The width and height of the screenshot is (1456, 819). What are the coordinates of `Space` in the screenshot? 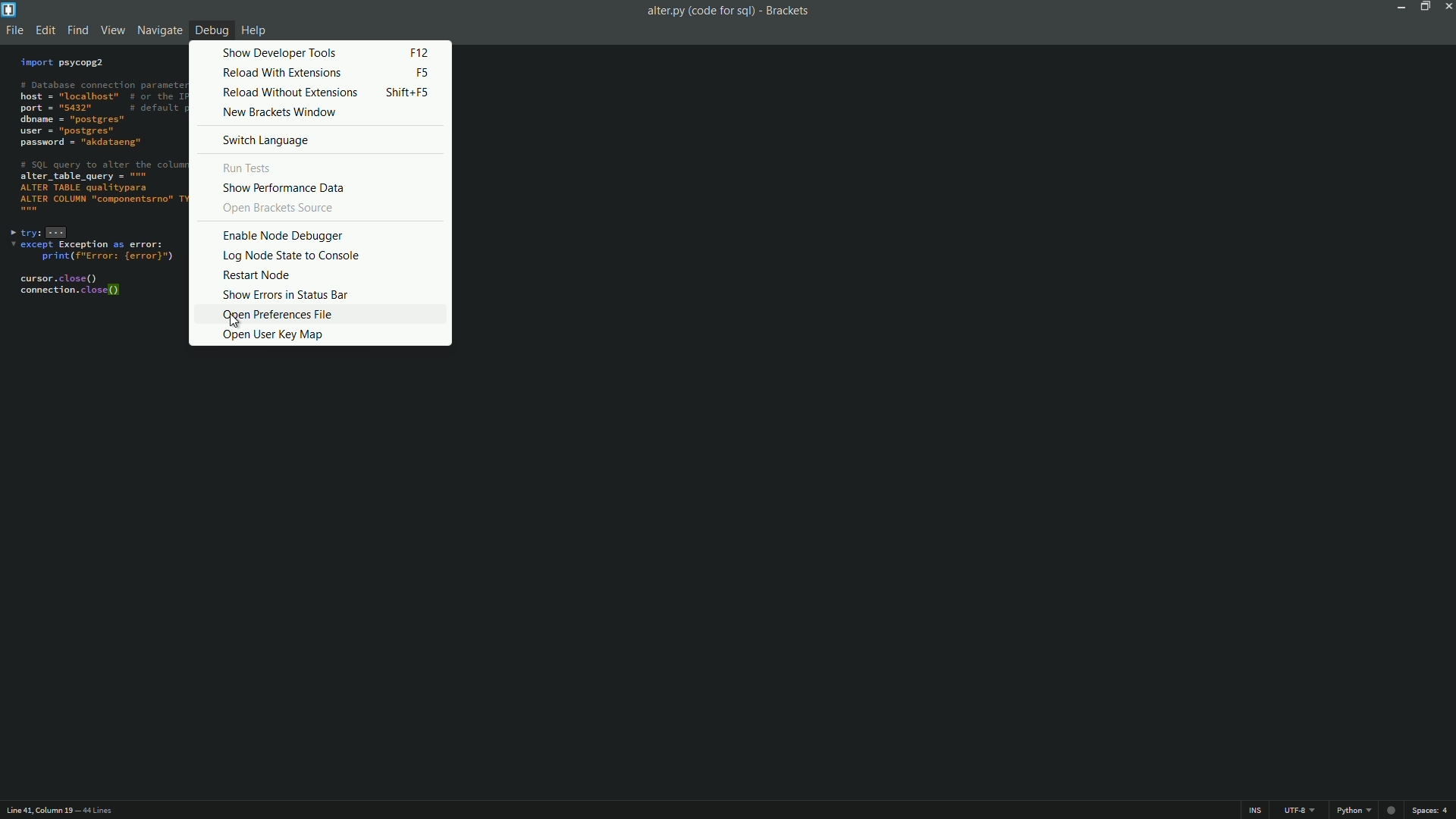 It's located at (1433, 811).